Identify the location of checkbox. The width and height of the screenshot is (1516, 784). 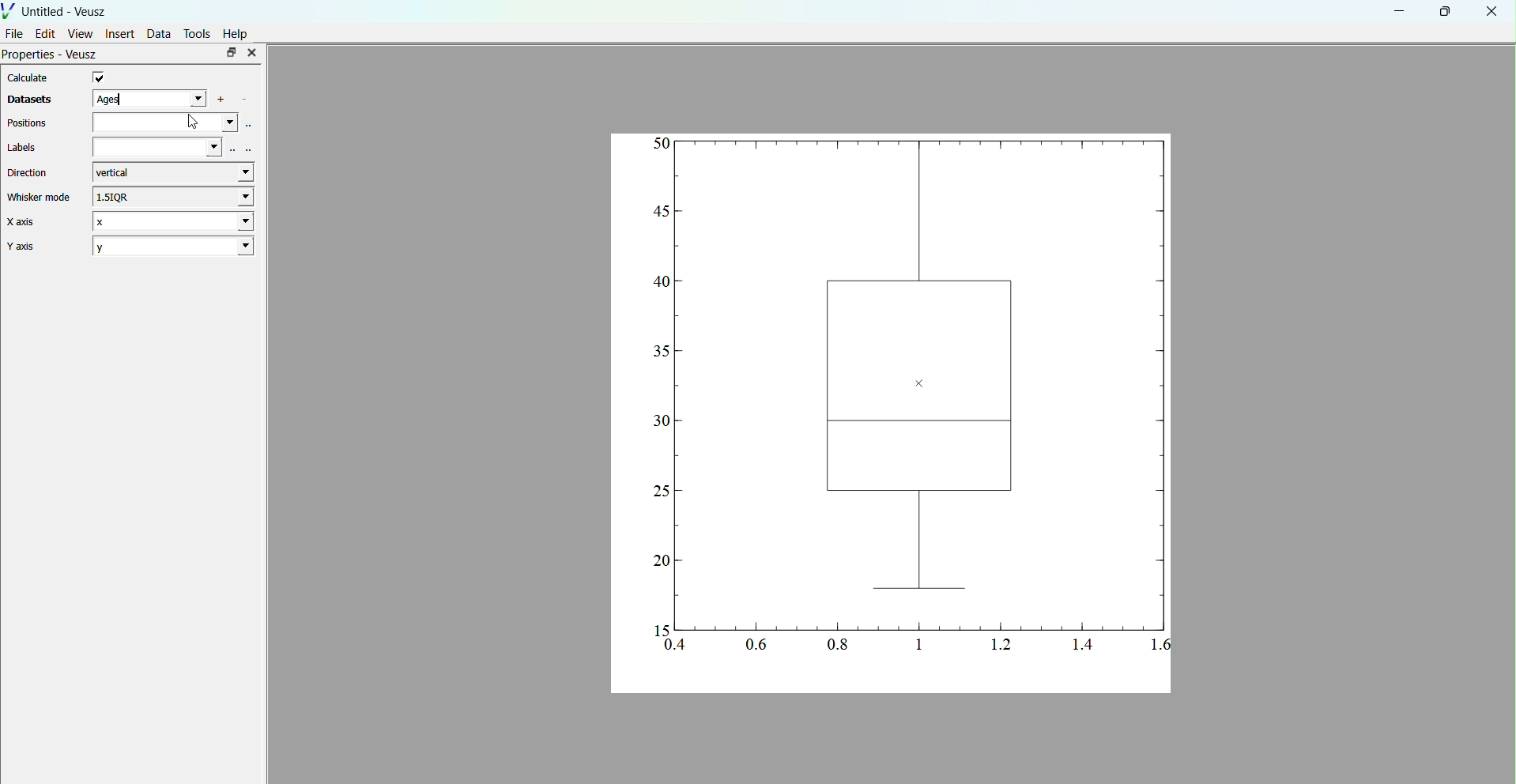
(104, 77).